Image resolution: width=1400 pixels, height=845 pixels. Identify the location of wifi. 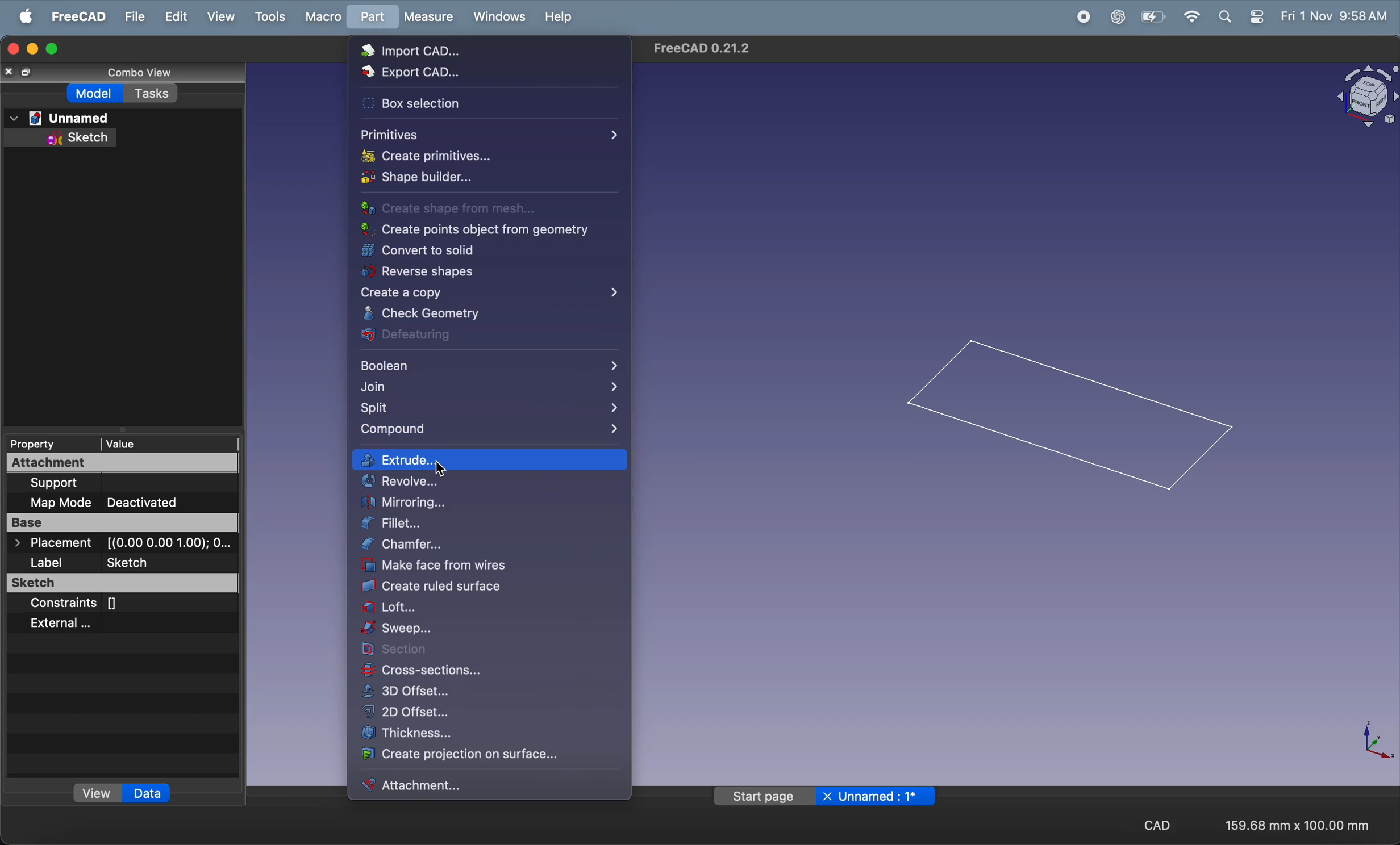
(1192, 17).